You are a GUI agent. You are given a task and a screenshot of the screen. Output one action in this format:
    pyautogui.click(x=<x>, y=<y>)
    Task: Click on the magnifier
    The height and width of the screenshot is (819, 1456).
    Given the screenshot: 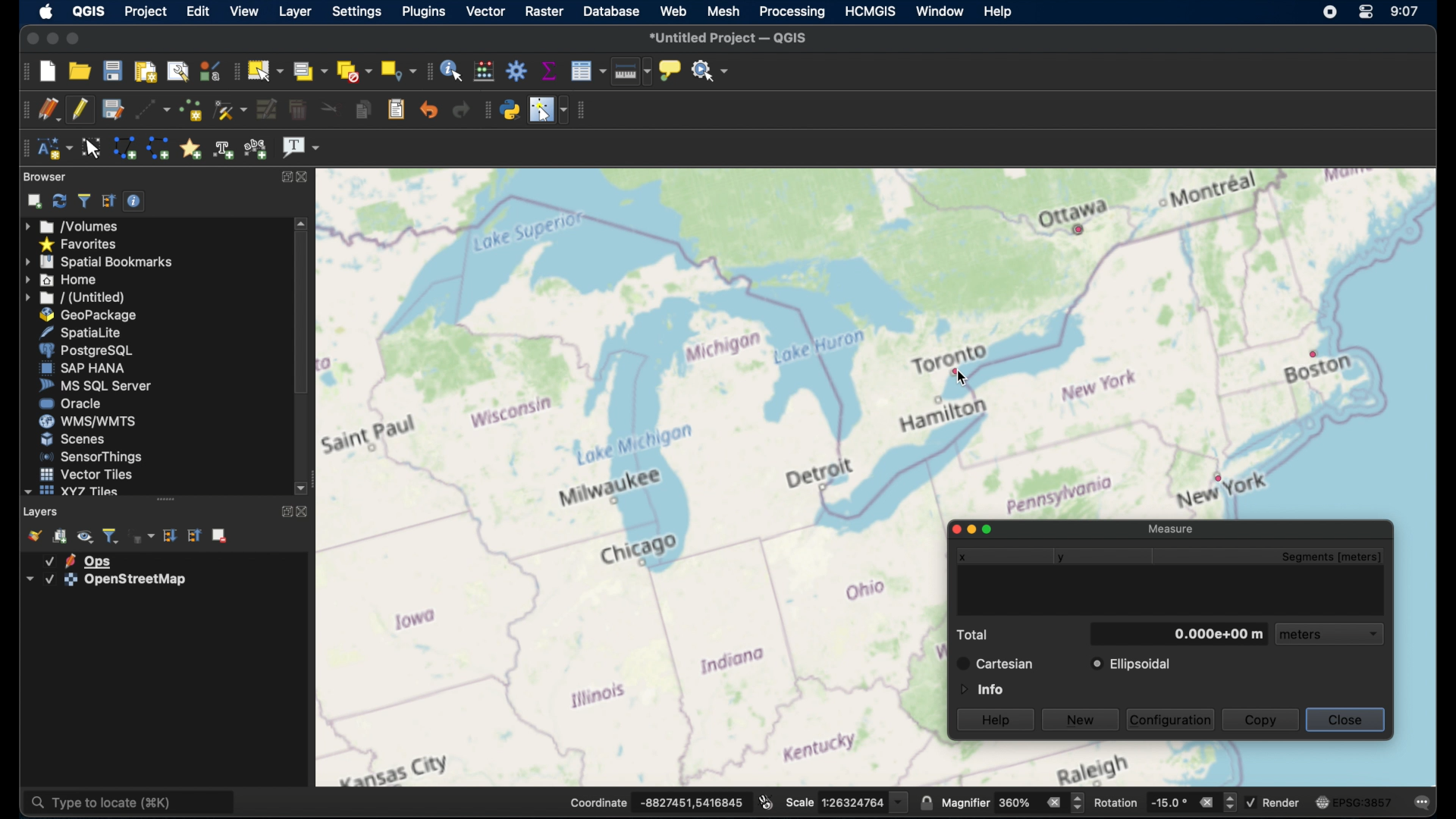 What is the action you would take?
    pyautogui.click(x=1012, y=802)
    